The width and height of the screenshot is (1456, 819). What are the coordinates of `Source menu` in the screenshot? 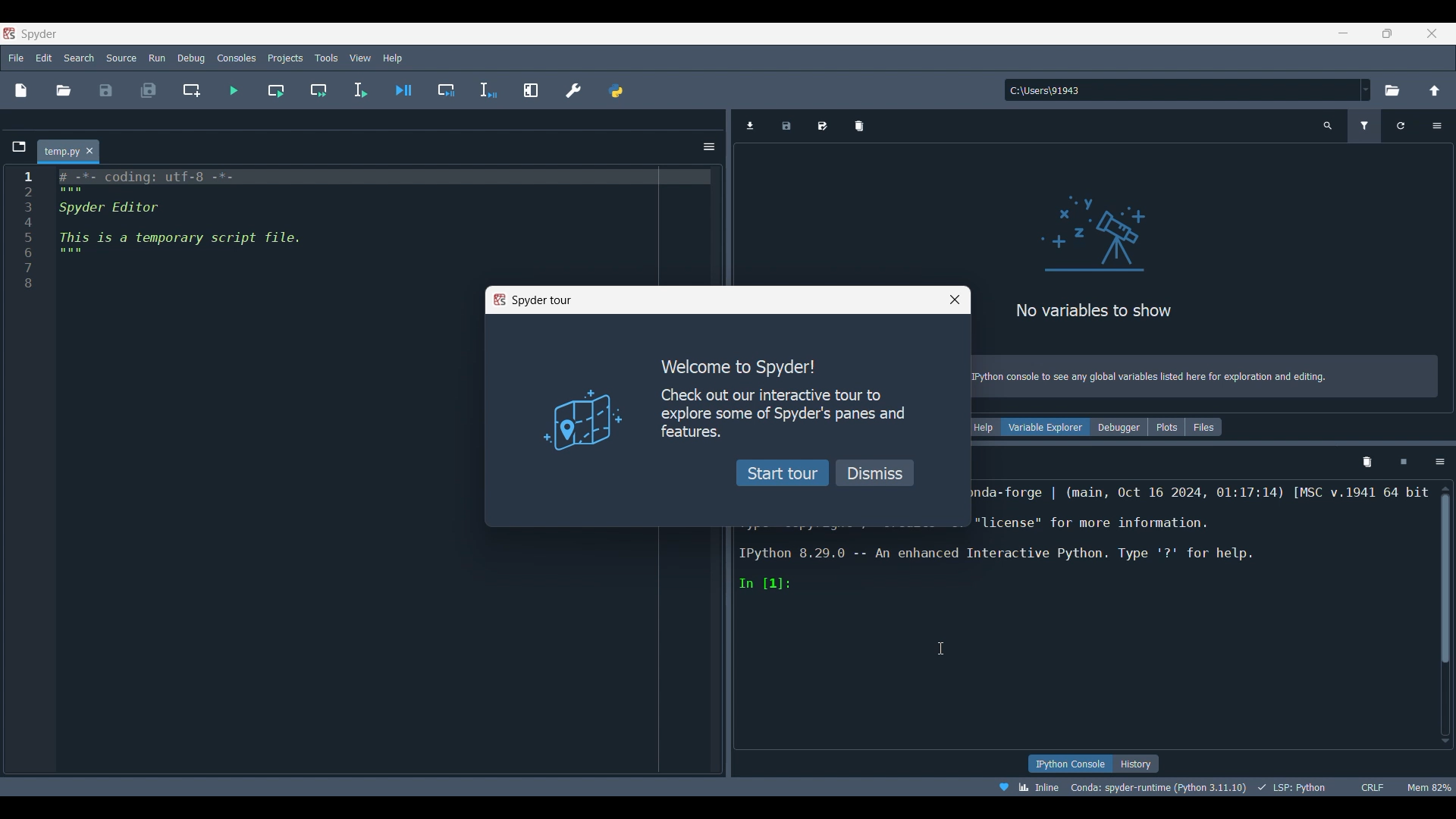 It's located at (121, 58).